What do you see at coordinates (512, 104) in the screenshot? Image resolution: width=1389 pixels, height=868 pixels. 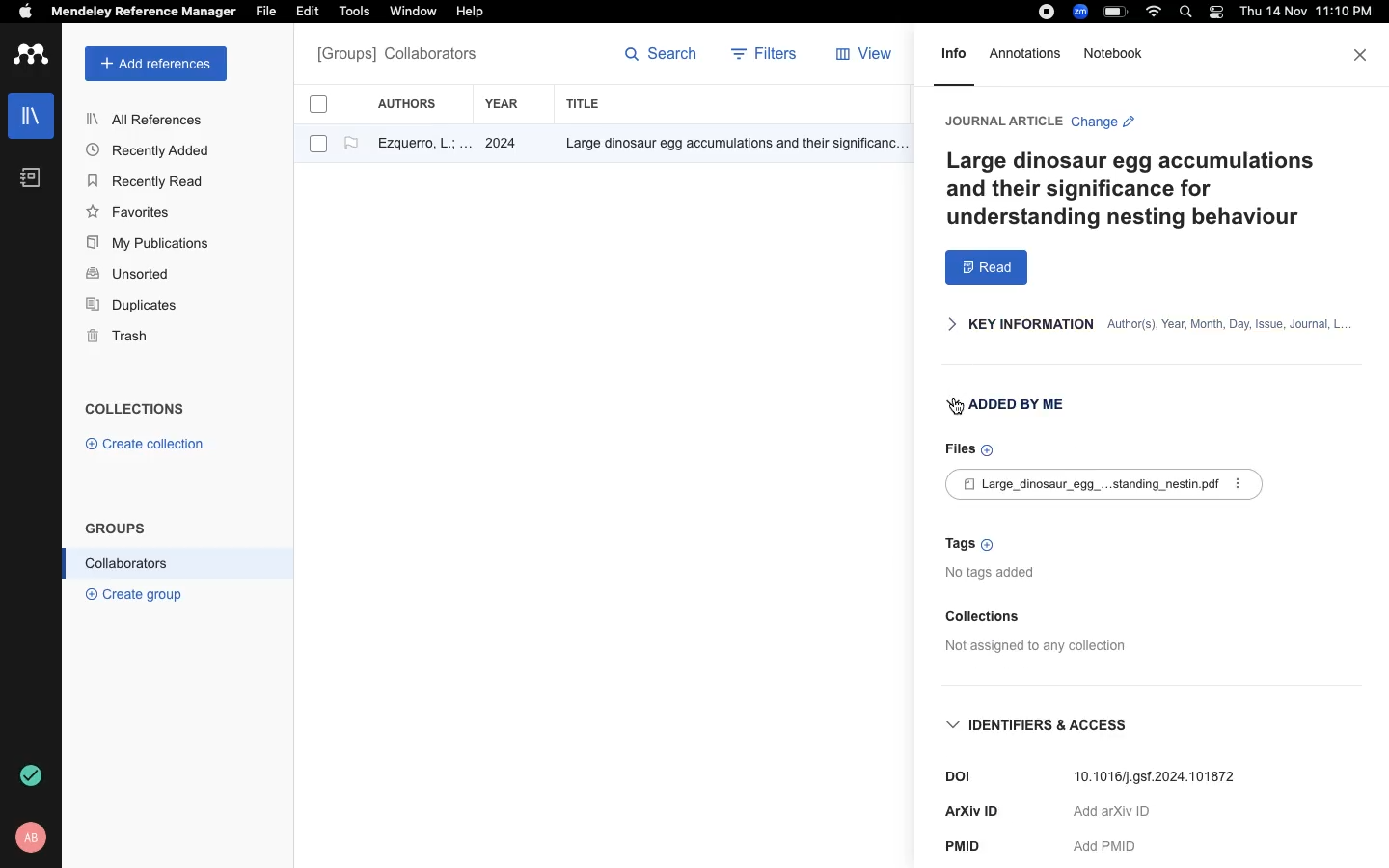 I see `year` at bounding box center [512, 104].